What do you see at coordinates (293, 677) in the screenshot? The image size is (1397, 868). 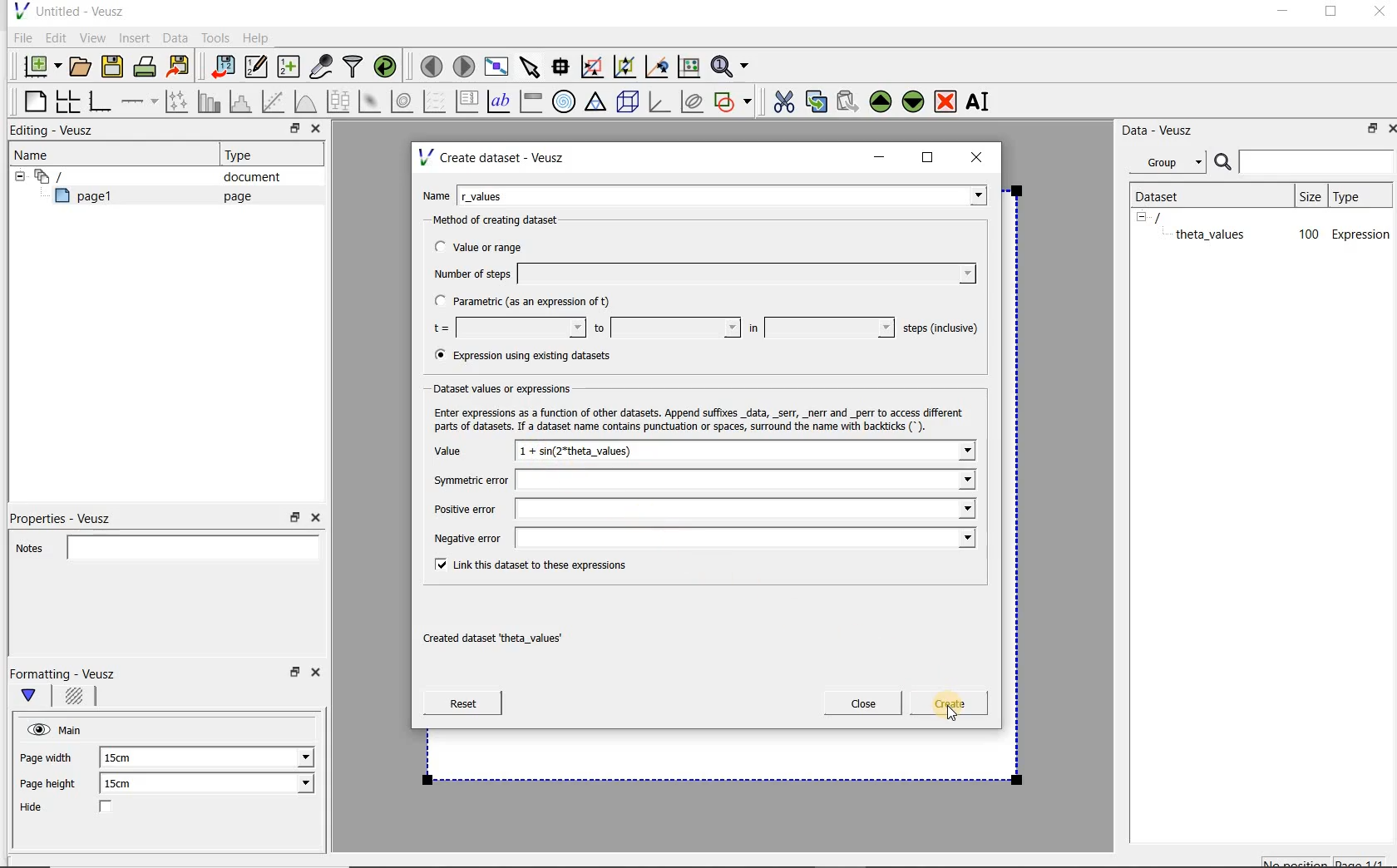 I see `restore down` at bounding box center [293, 677].